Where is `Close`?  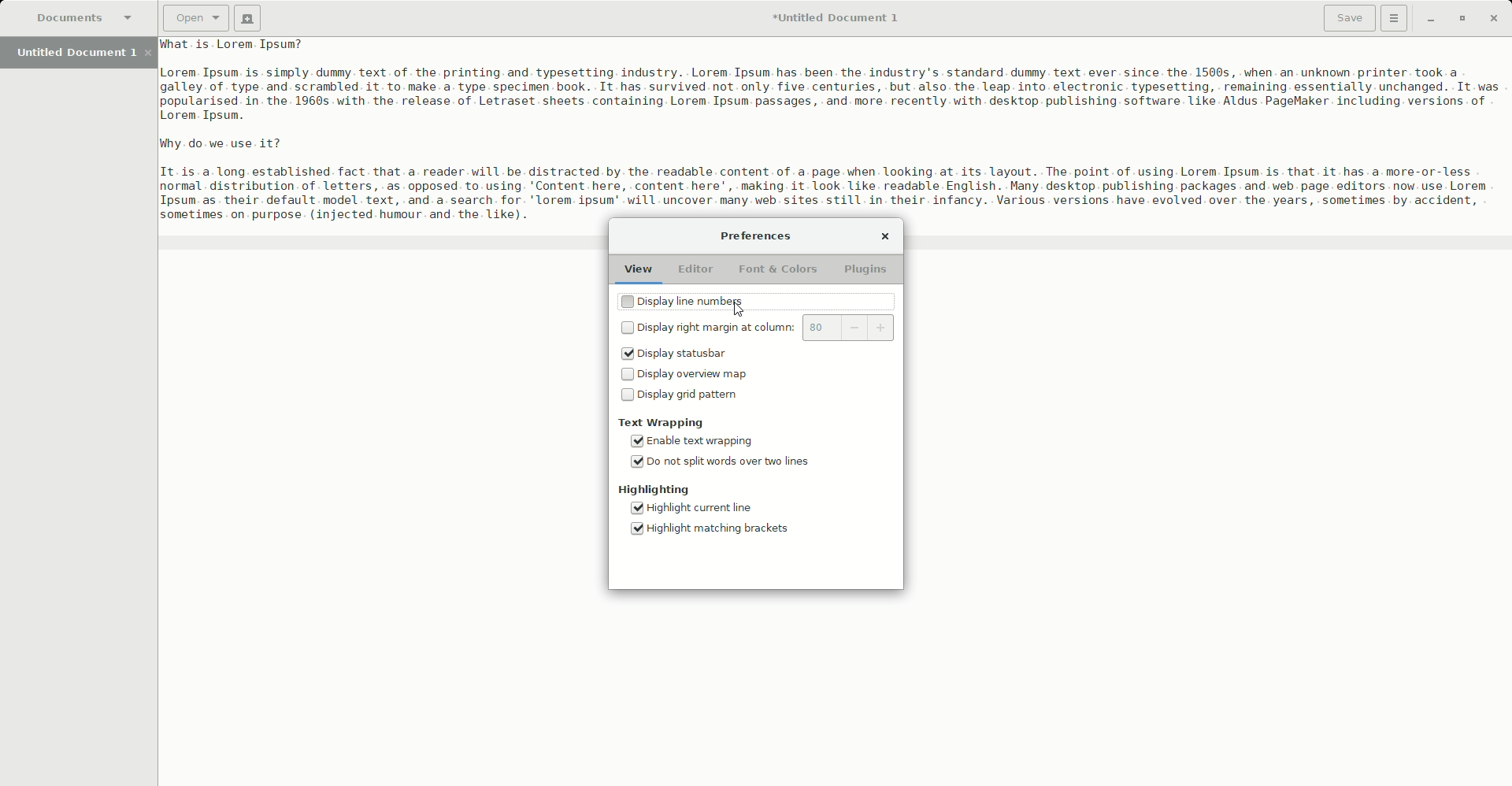 Close is located at coordinates (889, 235).